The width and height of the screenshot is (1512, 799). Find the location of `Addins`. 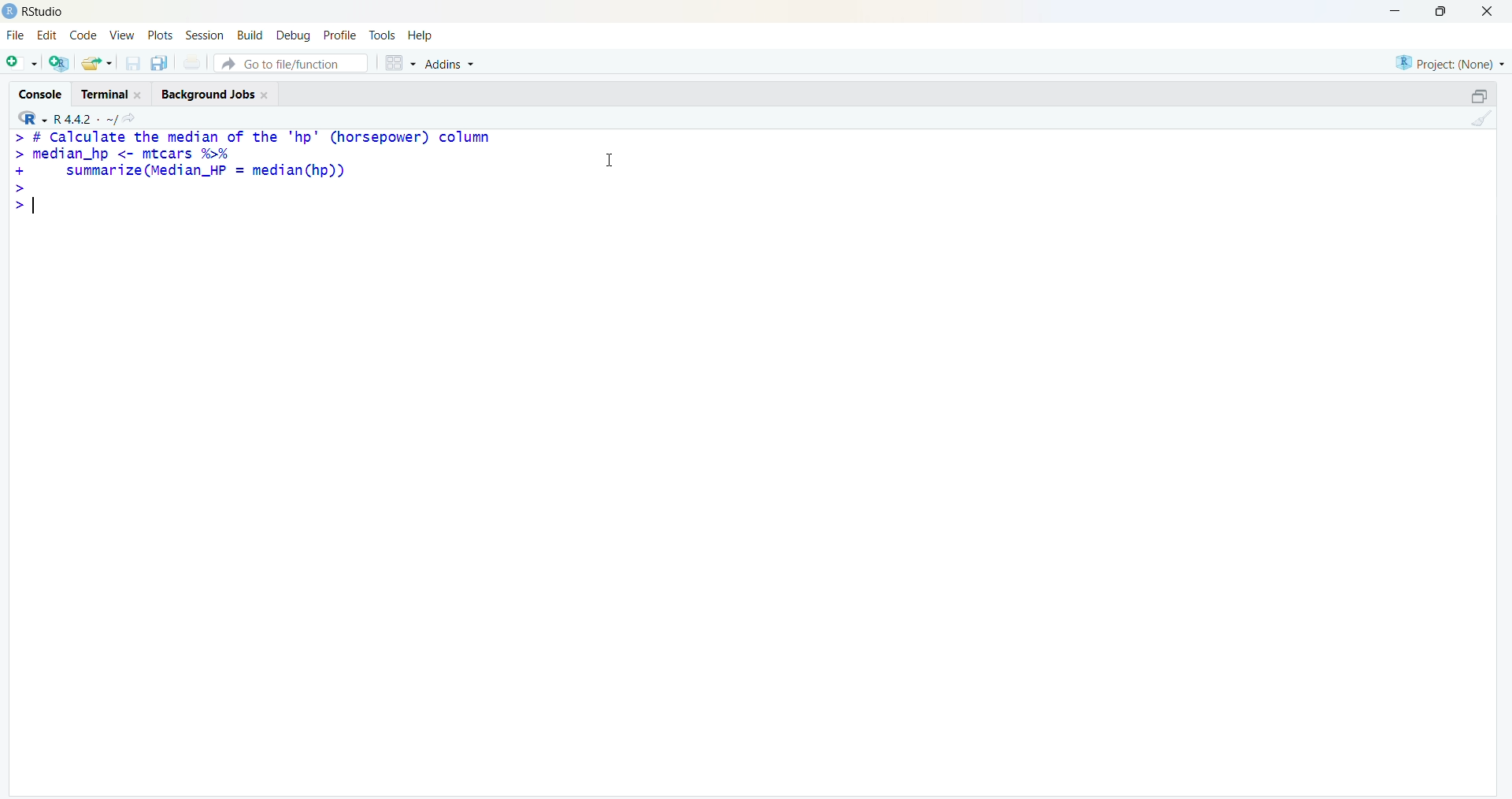

Addins is located at coordinates (450, 63).